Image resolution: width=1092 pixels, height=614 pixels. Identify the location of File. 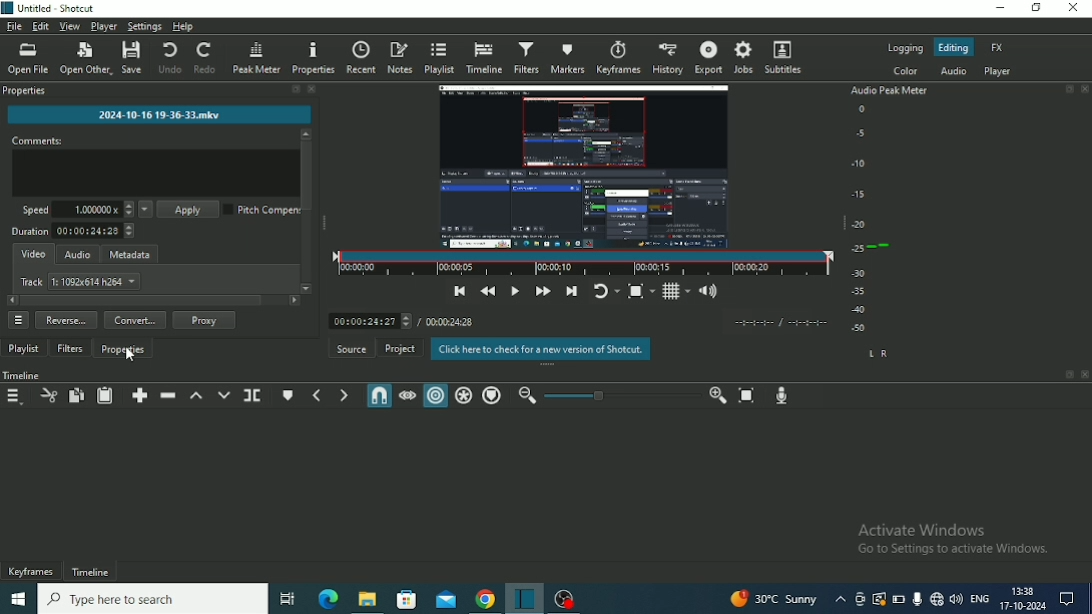
(13, 26).